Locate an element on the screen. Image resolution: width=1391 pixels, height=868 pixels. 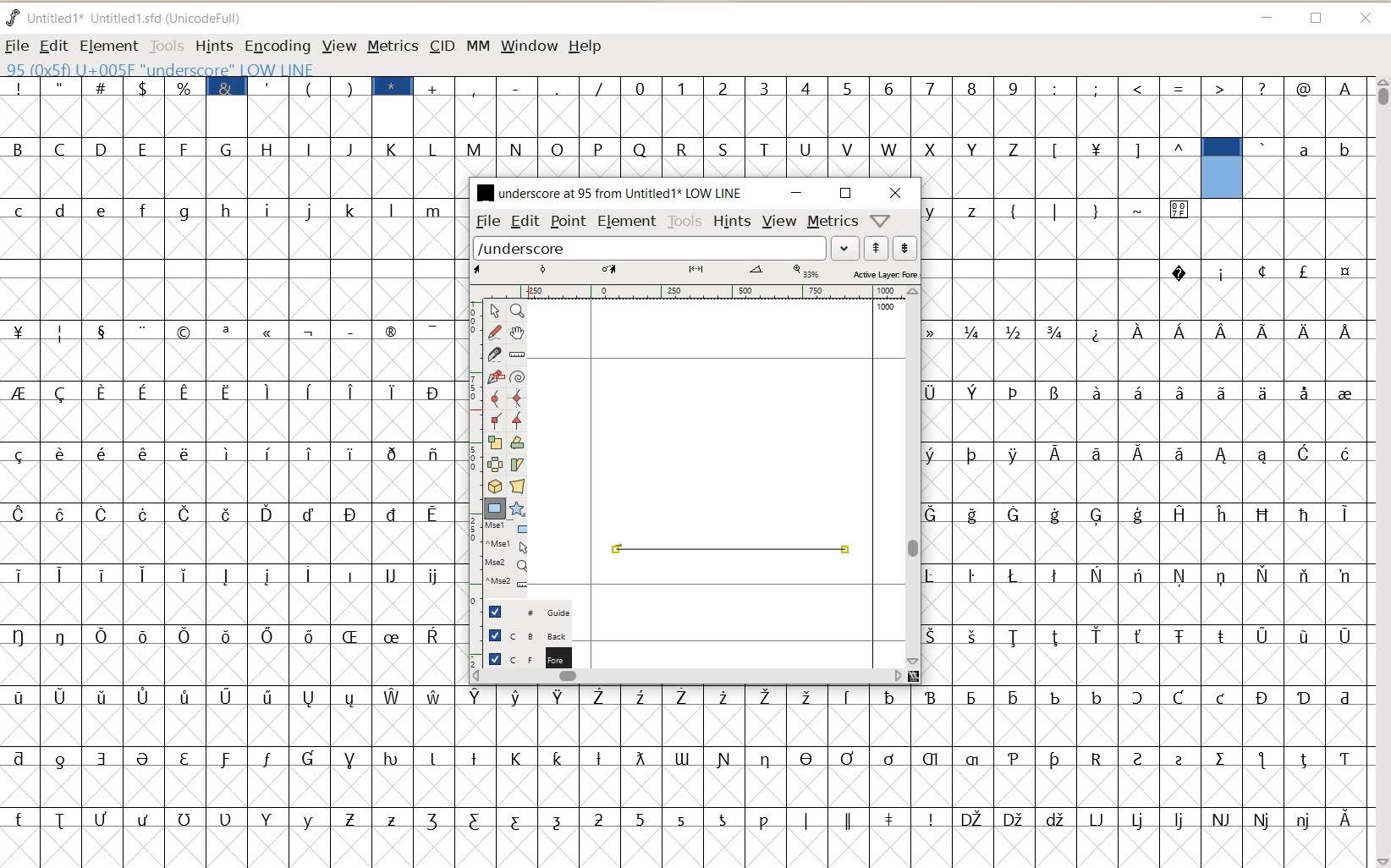
help/window is located at coordinates (879, 221).